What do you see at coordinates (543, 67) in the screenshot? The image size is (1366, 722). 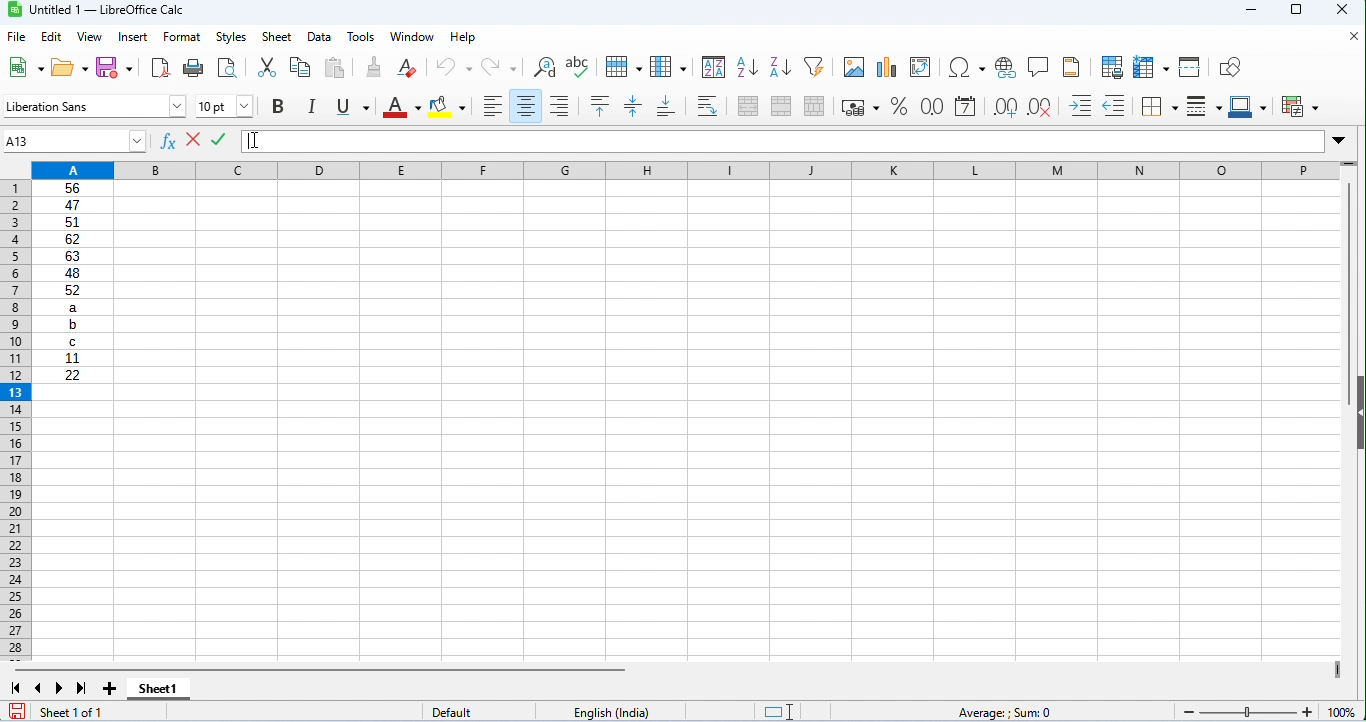 I see `find and replace` at bounding box center [543, 67].